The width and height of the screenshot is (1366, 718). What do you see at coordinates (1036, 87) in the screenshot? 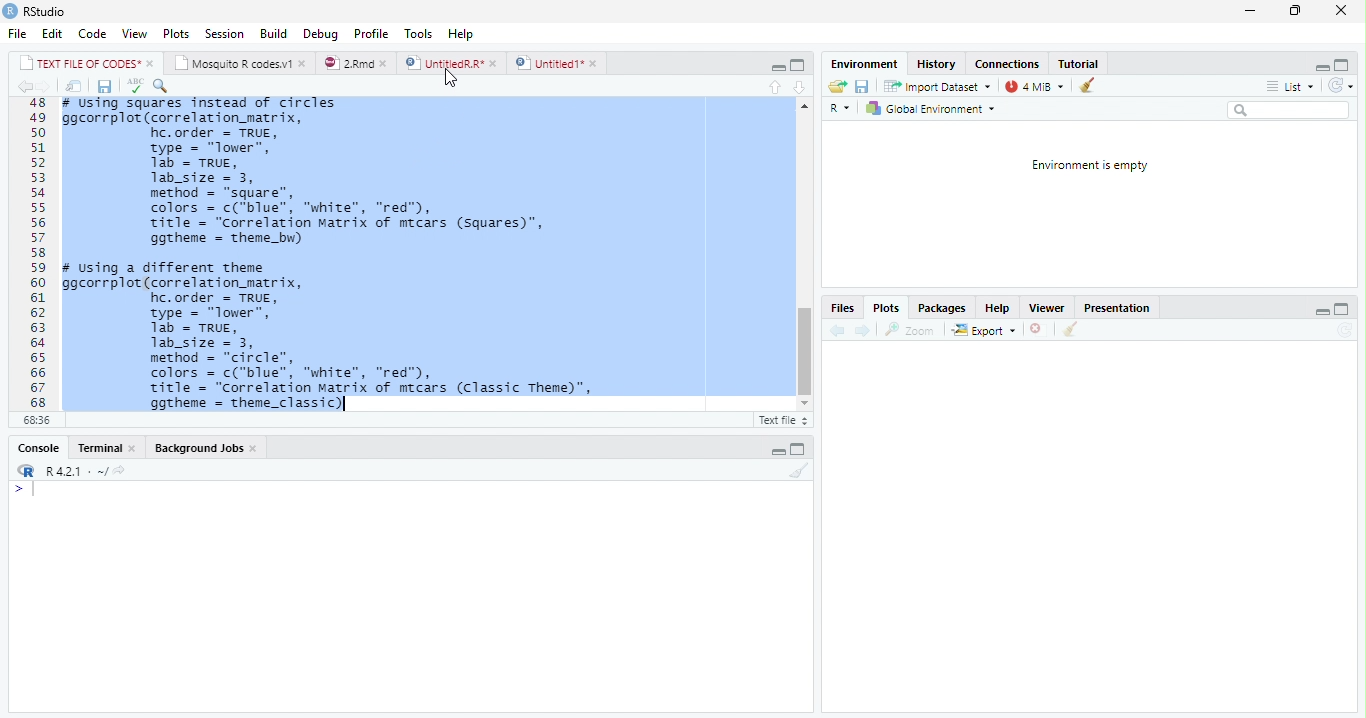
I see `9 mb` at bounding box center [1036, 87].